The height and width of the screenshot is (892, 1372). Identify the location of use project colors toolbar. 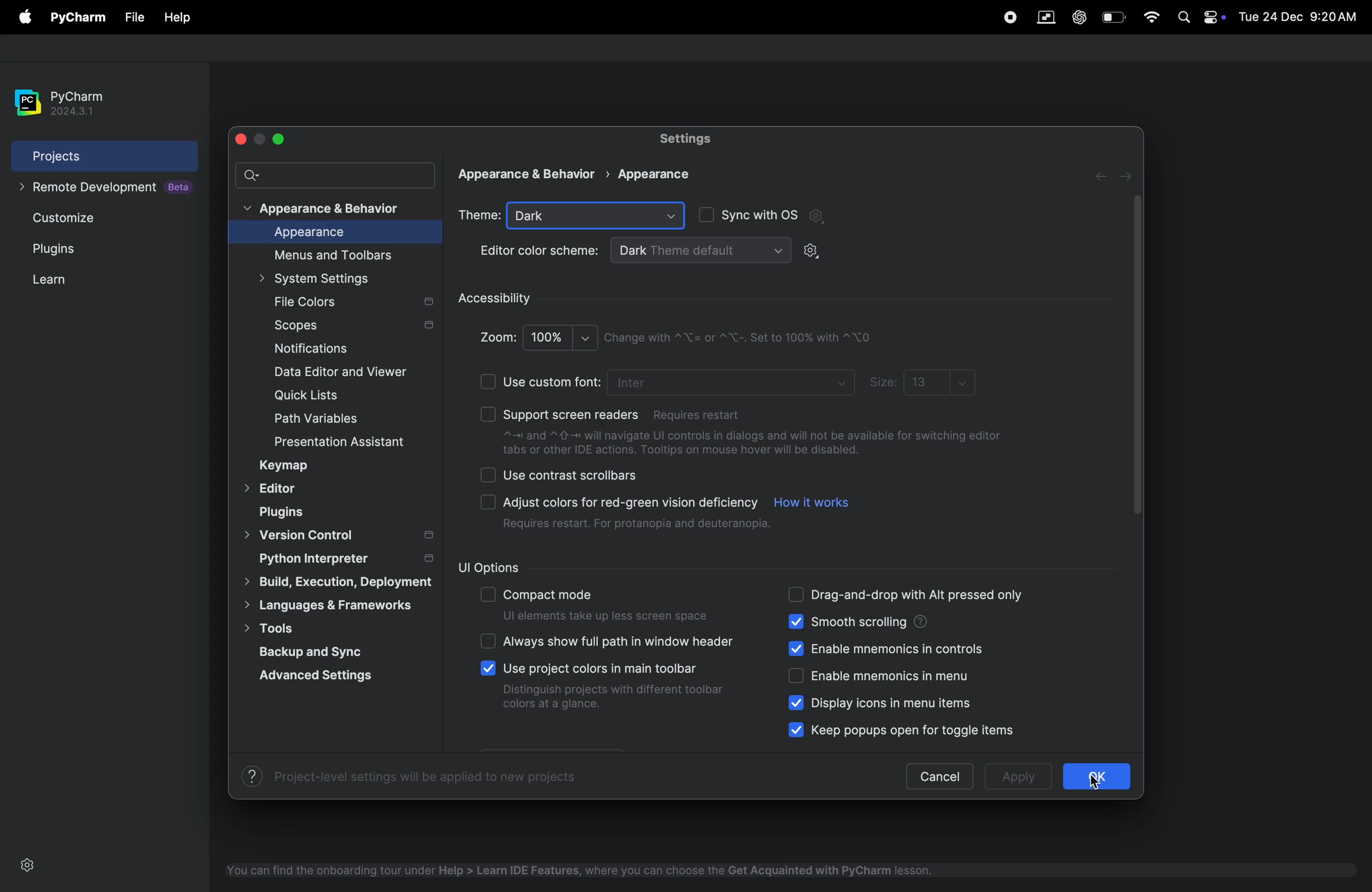
(615, 689).